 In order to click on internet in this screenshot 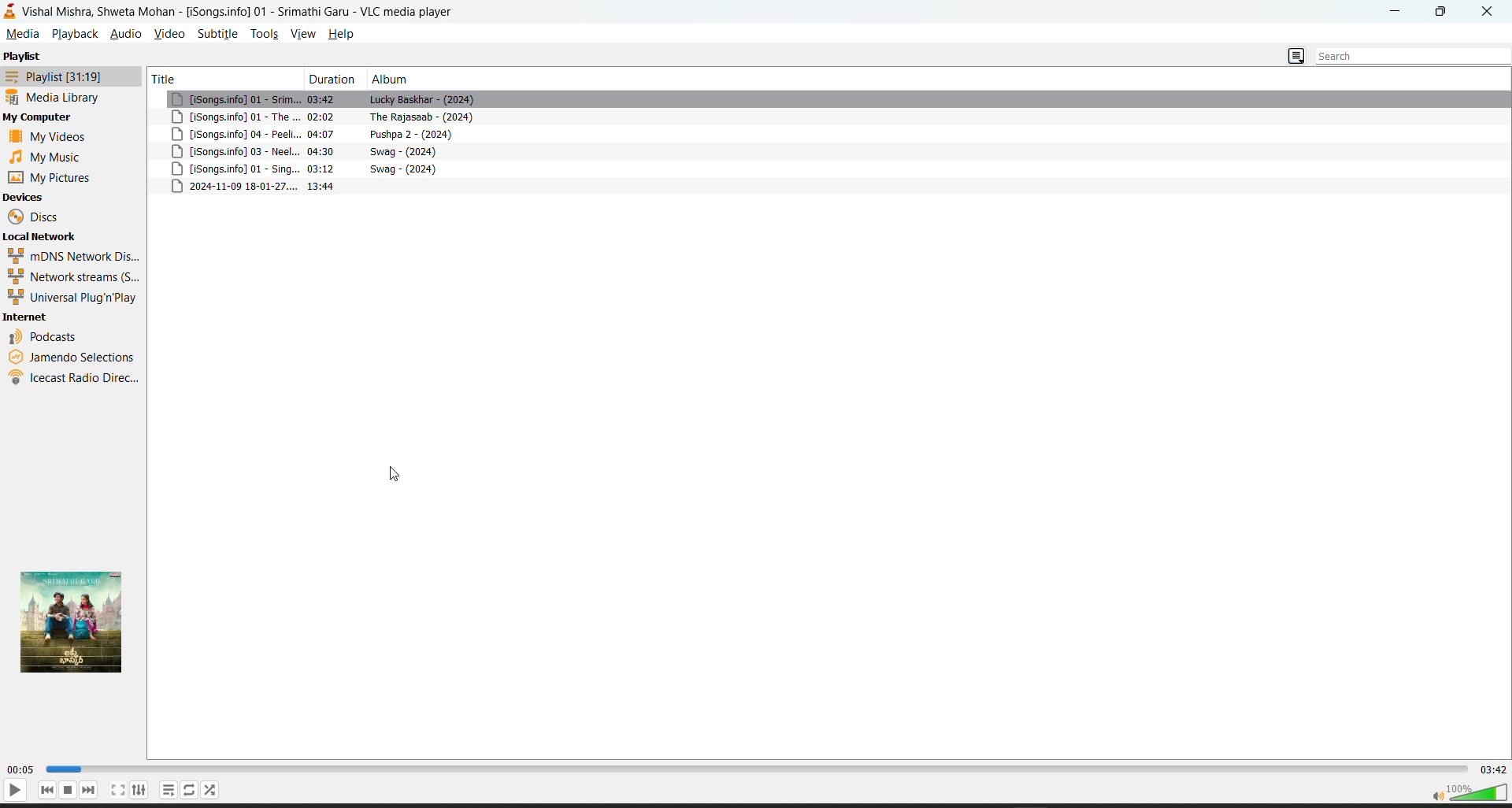, I will do `click(29, 317)`.